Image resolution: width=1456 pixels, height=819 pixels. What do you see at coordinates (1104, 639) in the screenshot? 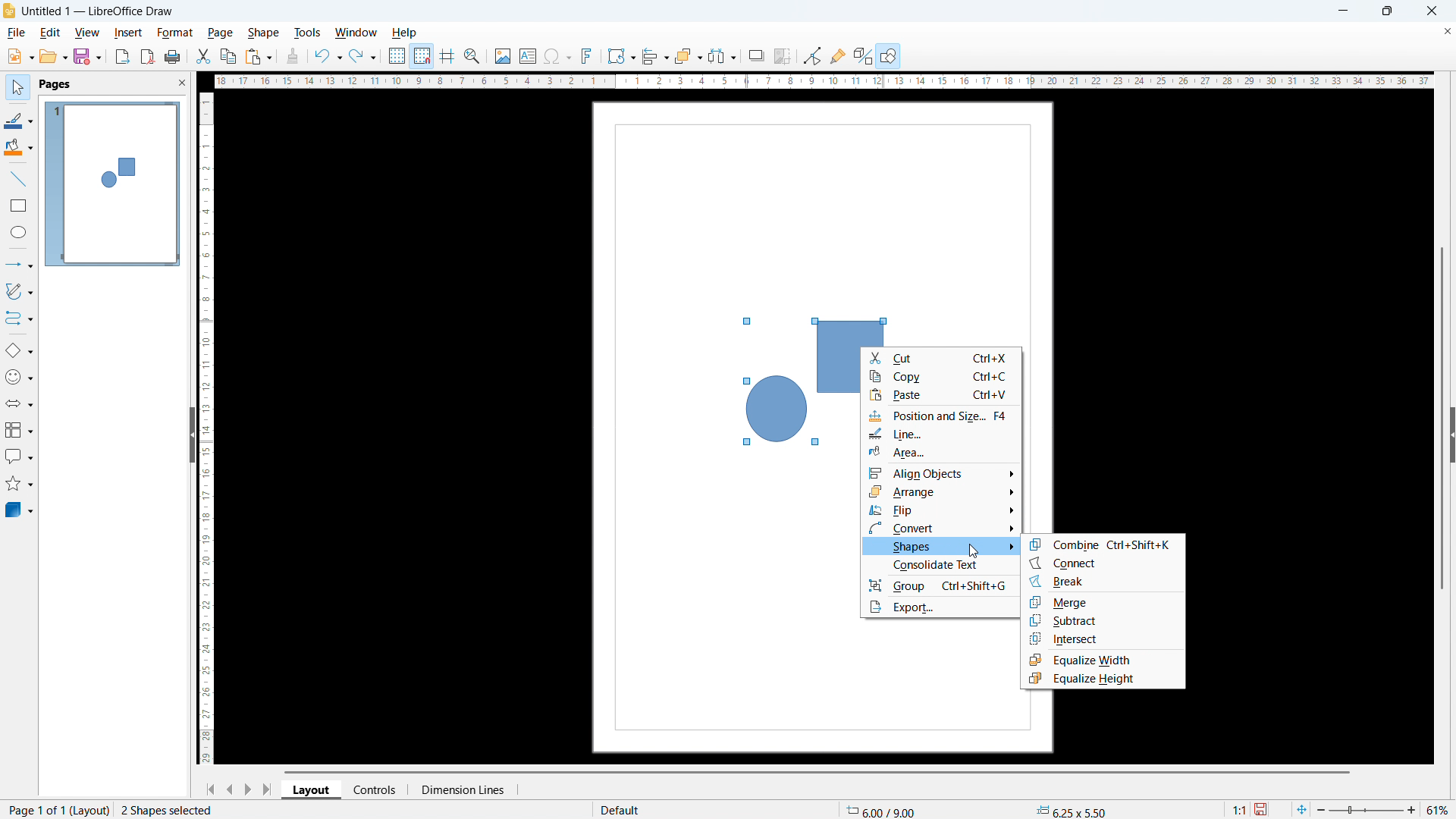
I see `intersect` at bounding box center [1104, 639].